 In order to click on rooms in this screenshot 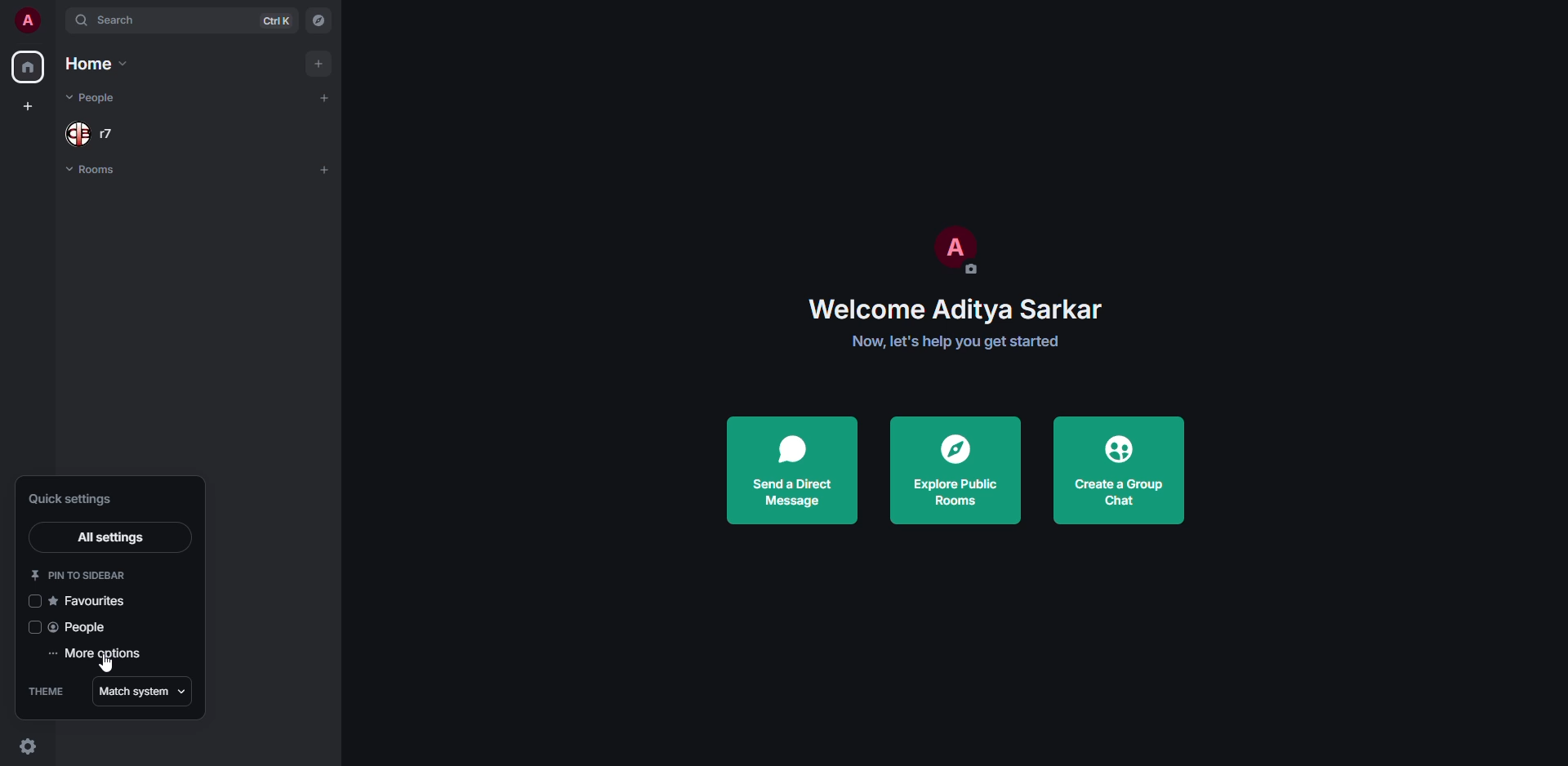, I will do `click(96, 170)`.